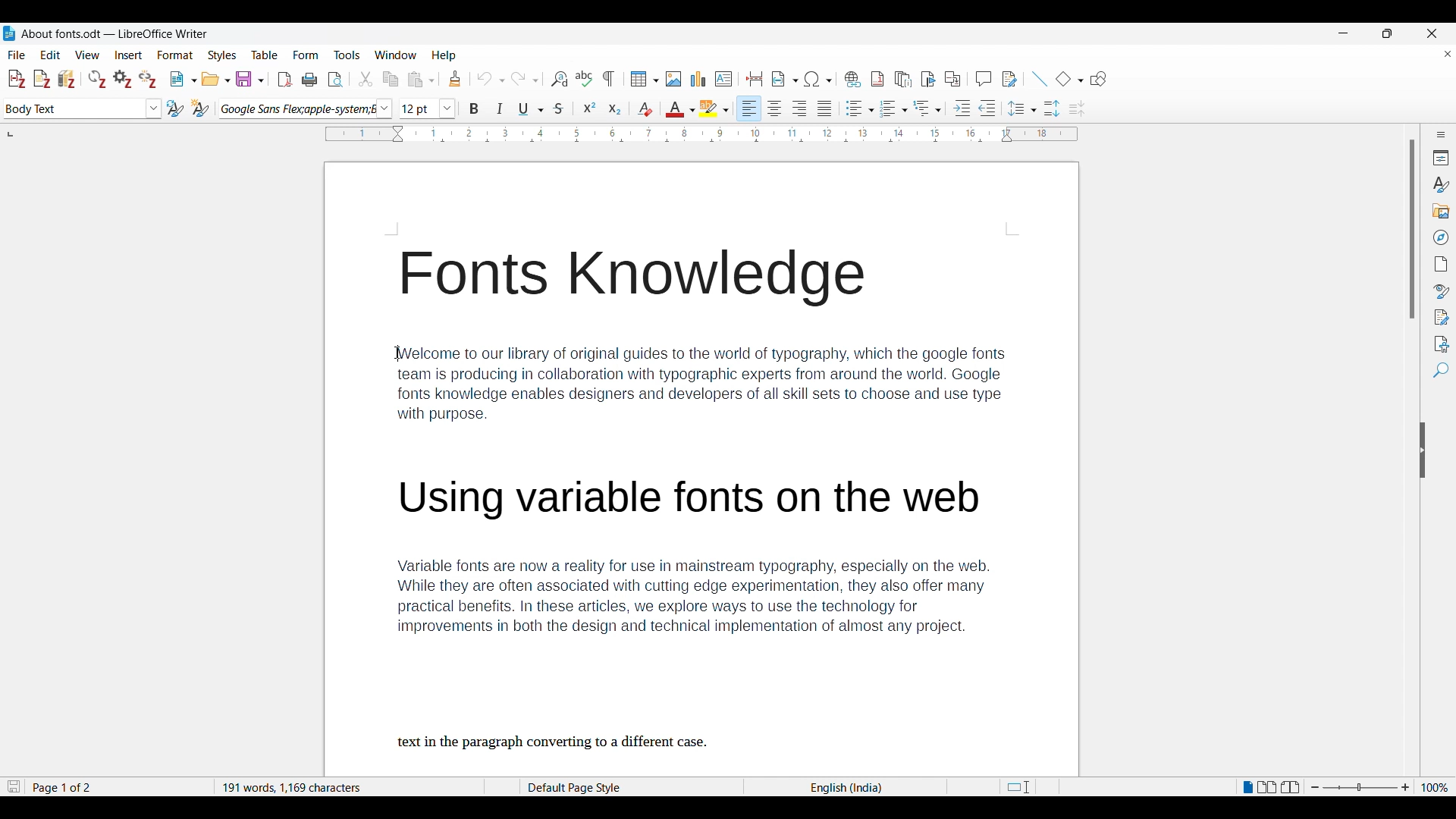 Image resolution: width=1456 pixels, height=819 pixels. I want to click on Save, so click(250, 79).